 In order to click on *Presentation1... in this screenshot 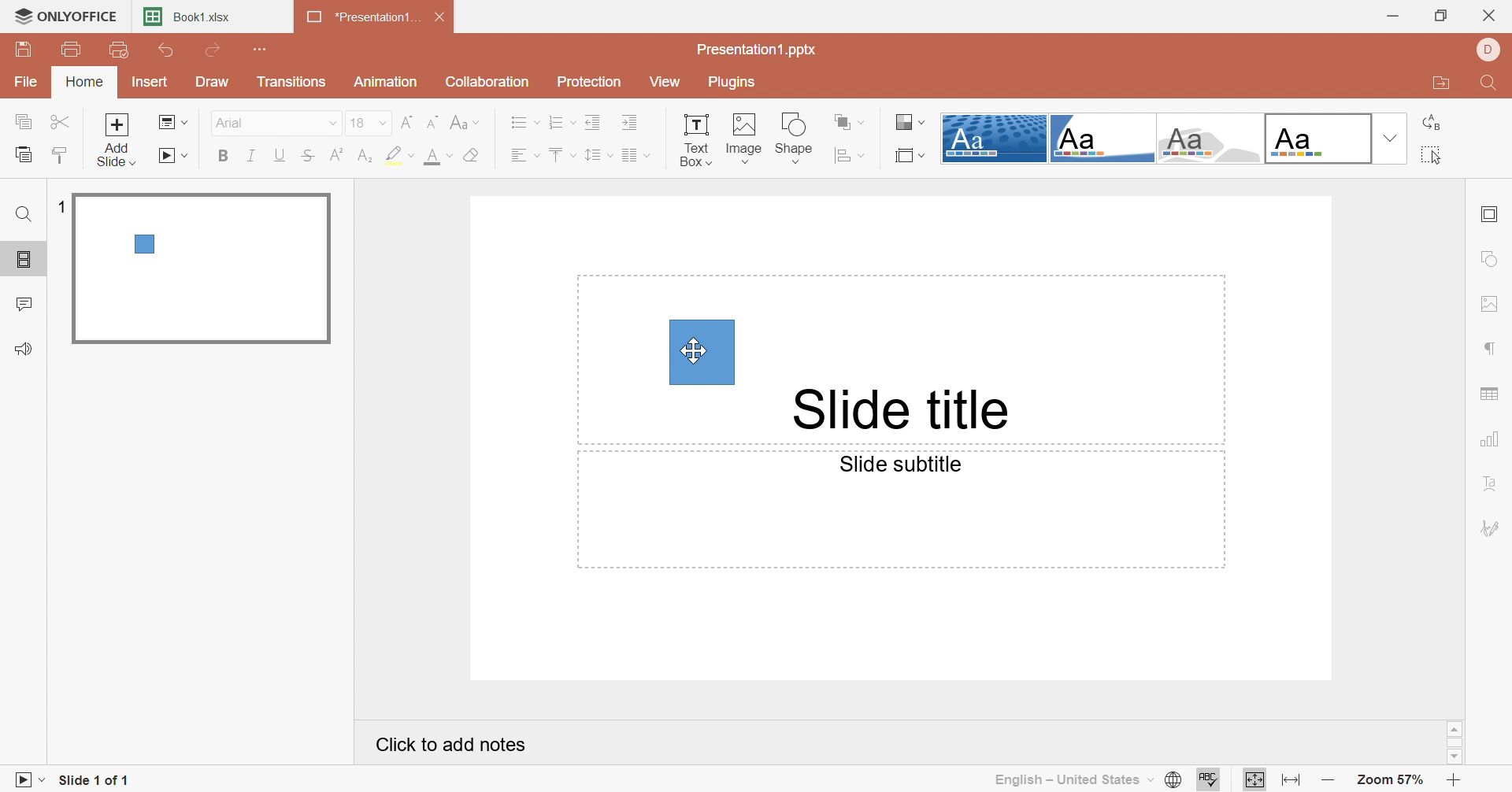, I will do `click(357, 19)`.